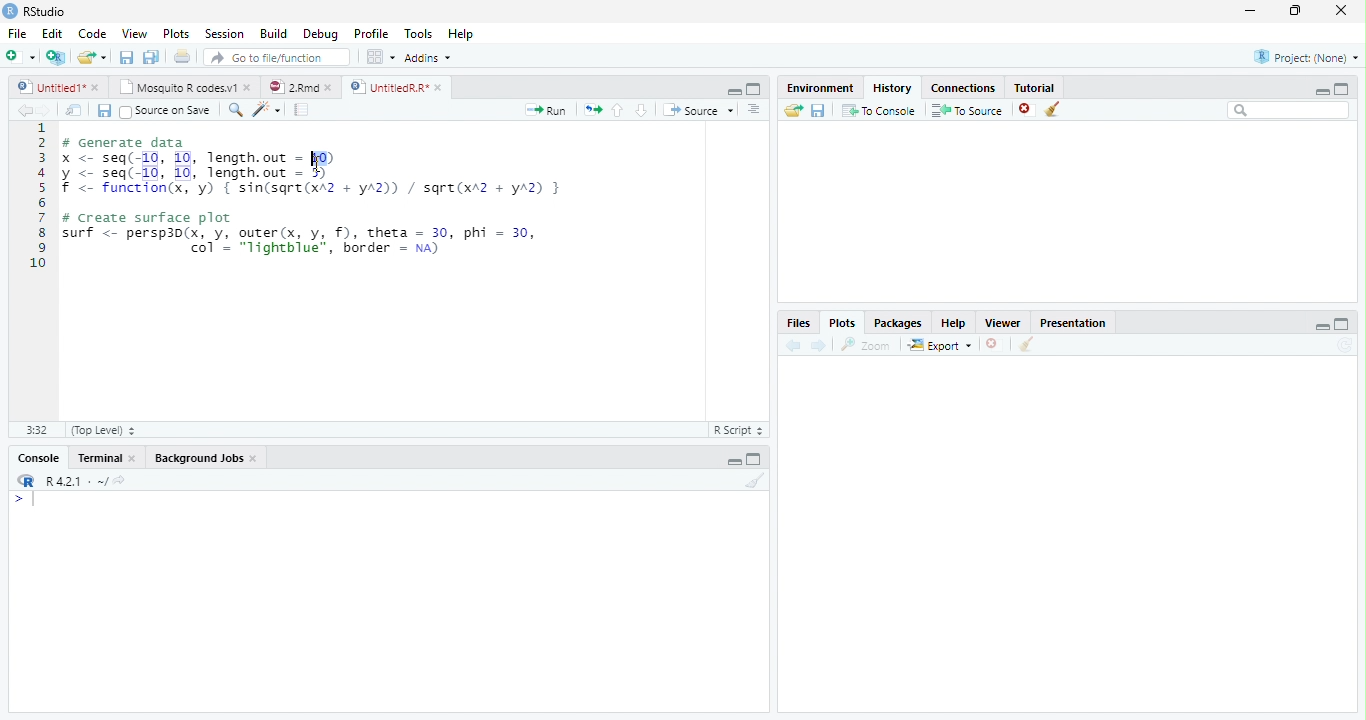 This screenshot has height=720, width=1366. Describe the element at coordinates (199, 458) in the screenshot. I see `Background Jobs` at that location.